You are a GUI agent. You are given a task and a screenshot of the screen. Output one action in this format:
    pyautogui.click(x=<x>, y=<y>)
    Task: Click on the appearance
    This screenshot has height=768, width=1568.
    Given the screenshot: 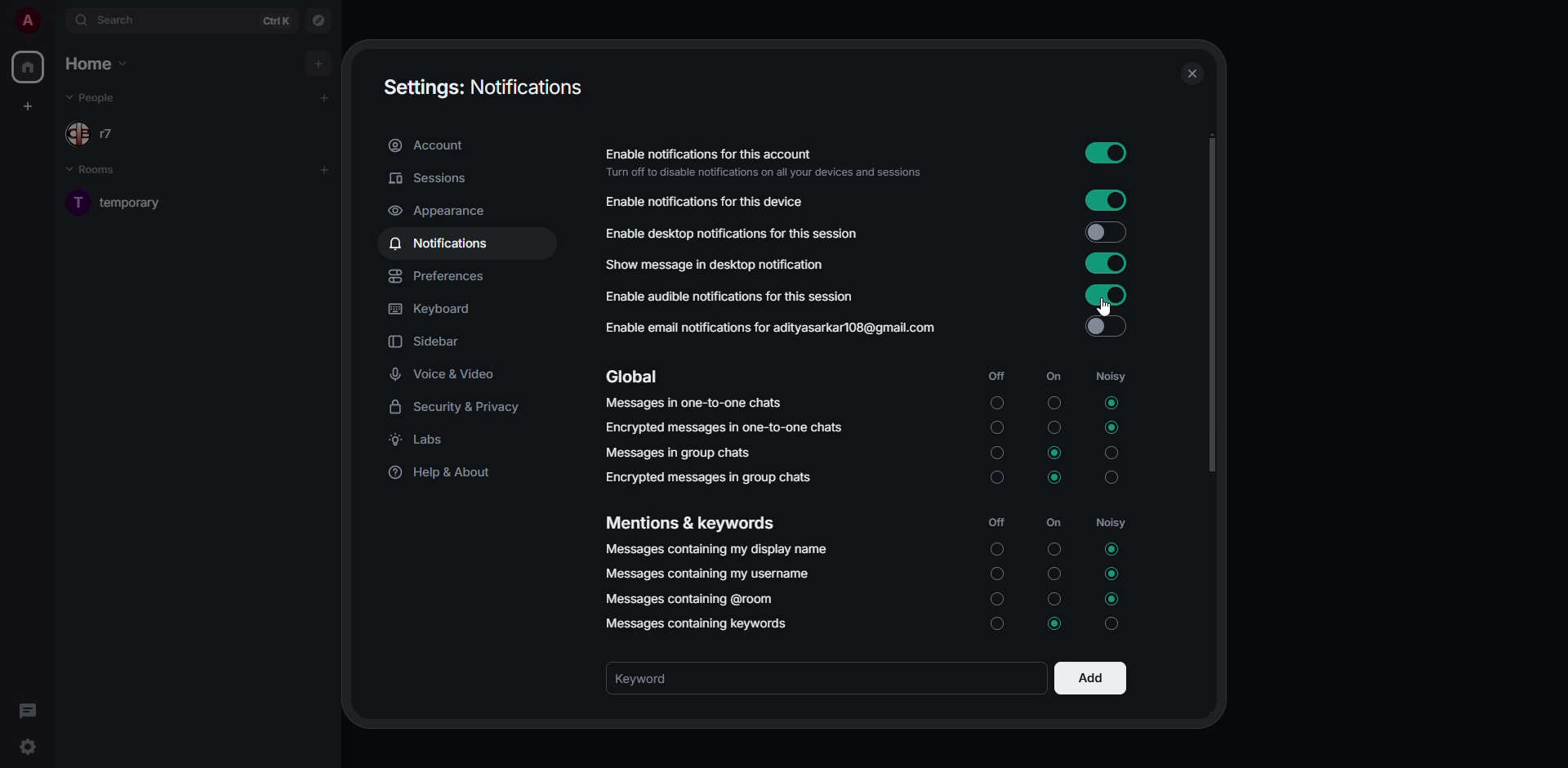 What is the action you would take?
    pyautogui.click(x=443, y=211)
    